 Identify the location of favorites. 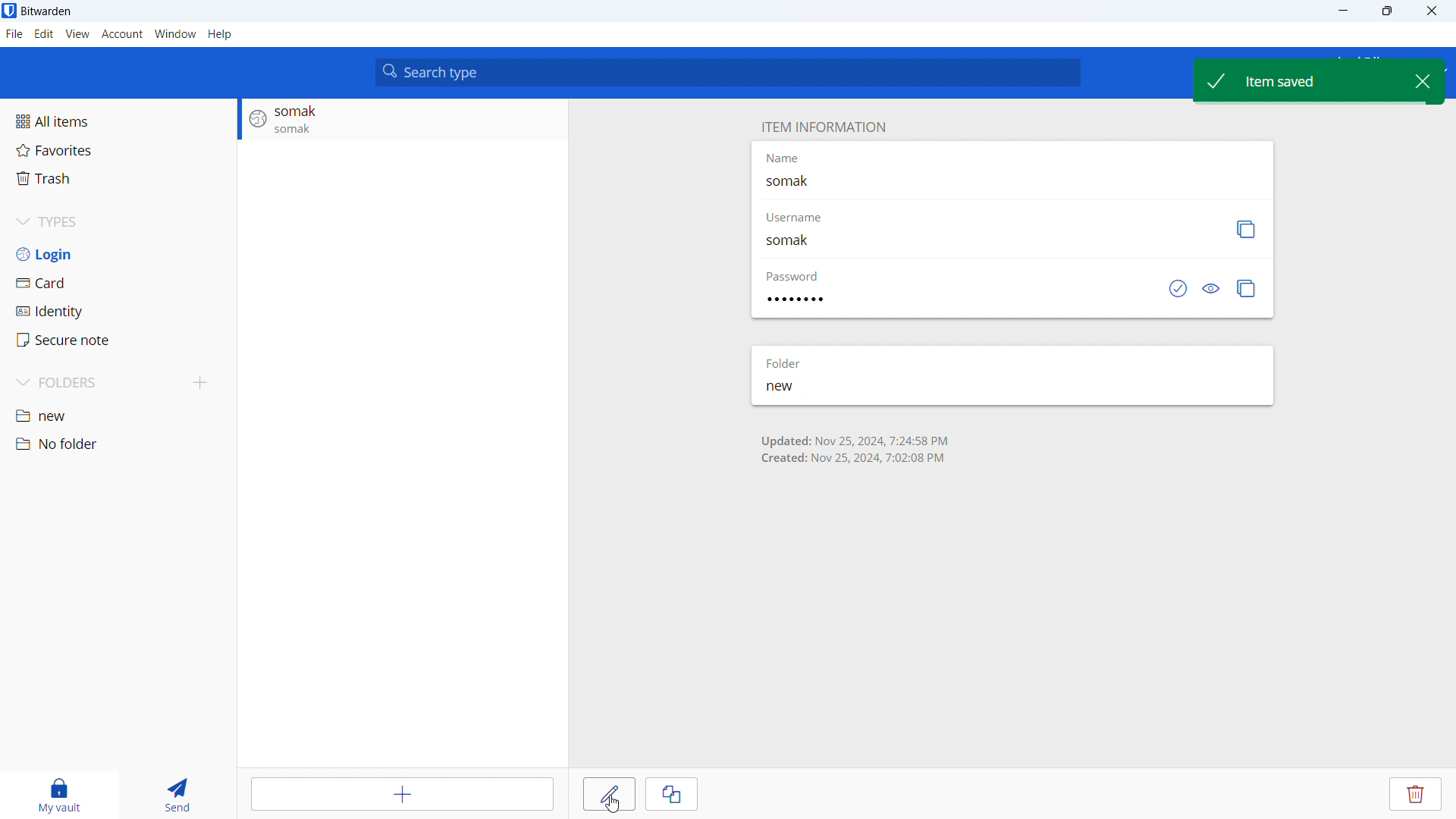
(118, 150).